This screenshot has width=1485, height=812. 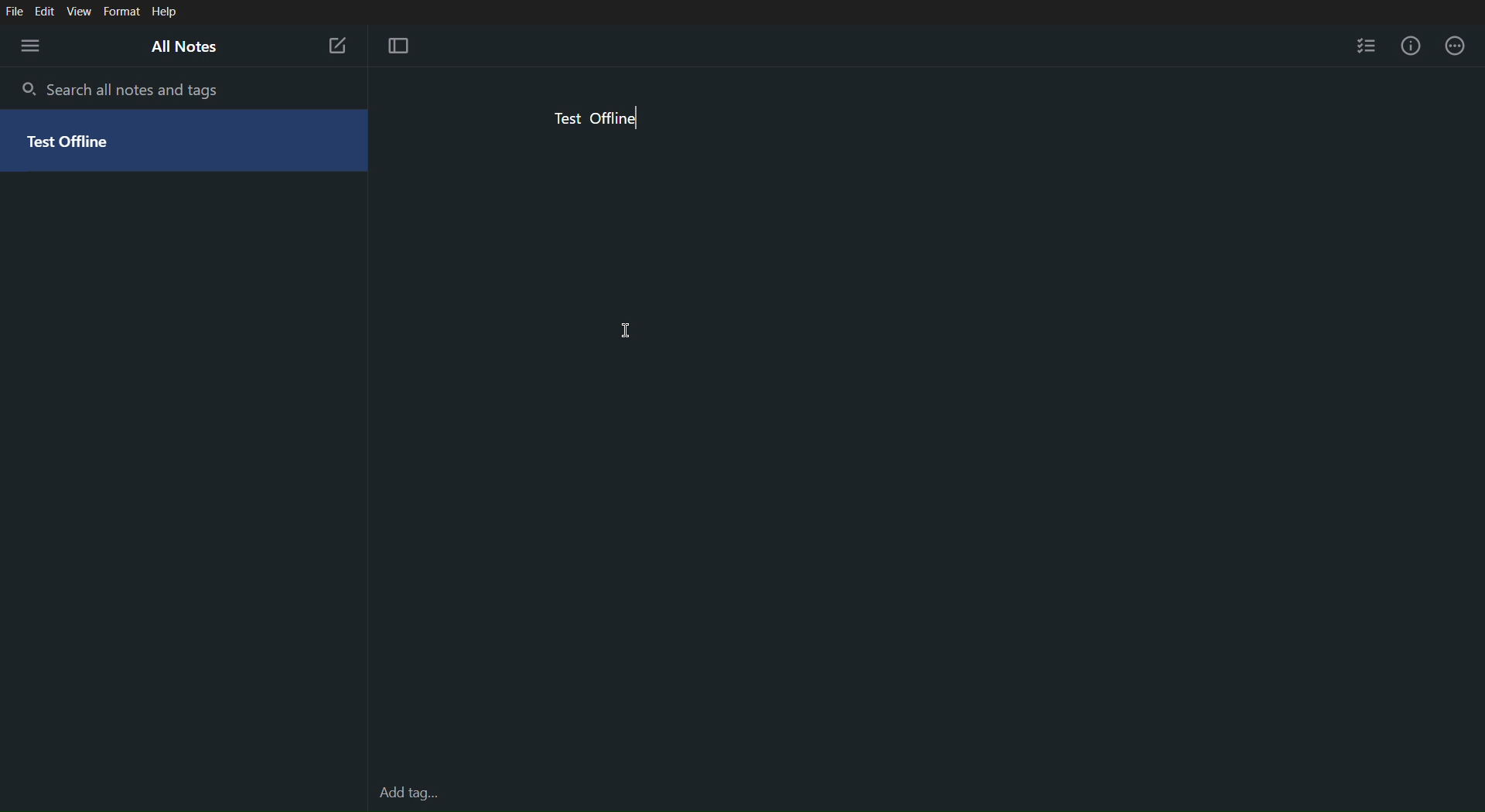 What do you see at coordinates (409, 793) in the screenshot?
I see `Add tag` at bounding box center [409, 793].